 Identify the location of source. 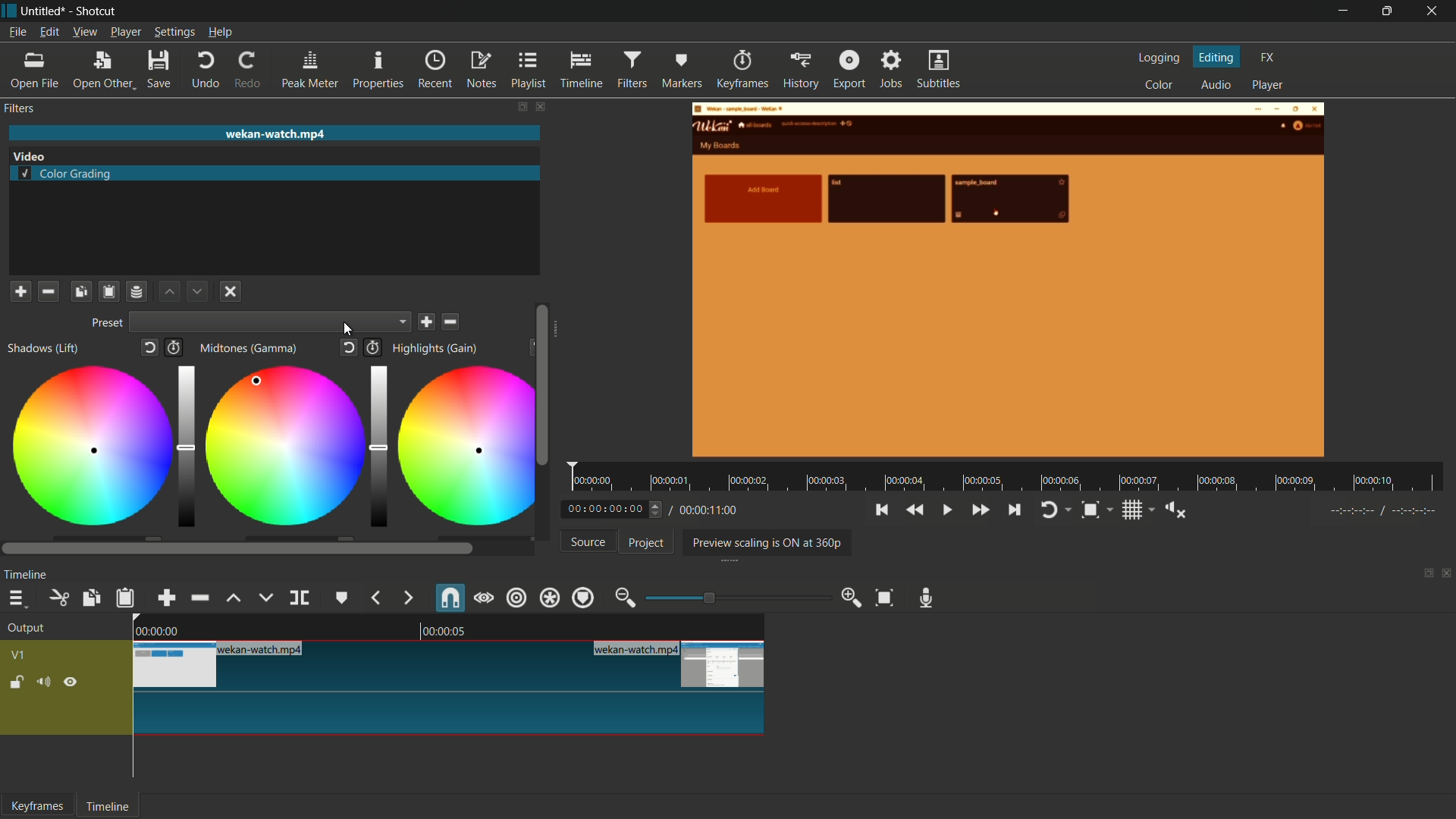
(588, 541).